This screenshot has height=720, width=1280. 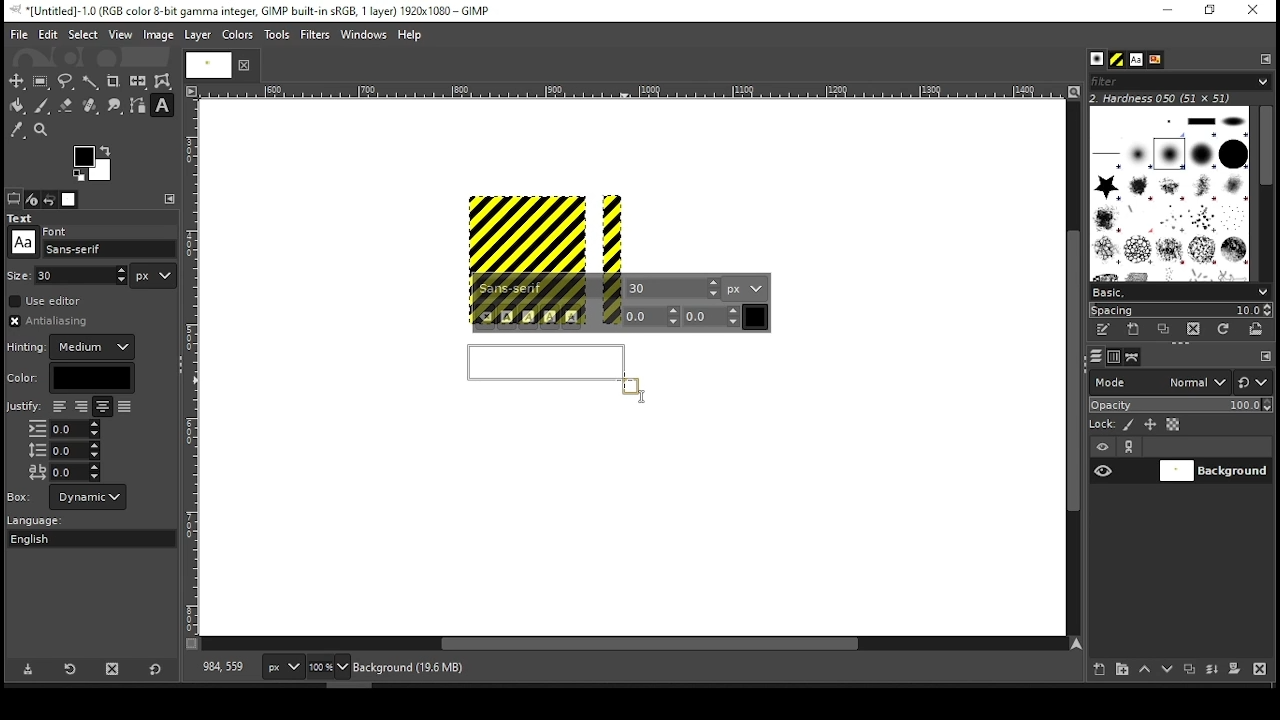 I want to click on new layer group  , so click(x=1121, y=669).